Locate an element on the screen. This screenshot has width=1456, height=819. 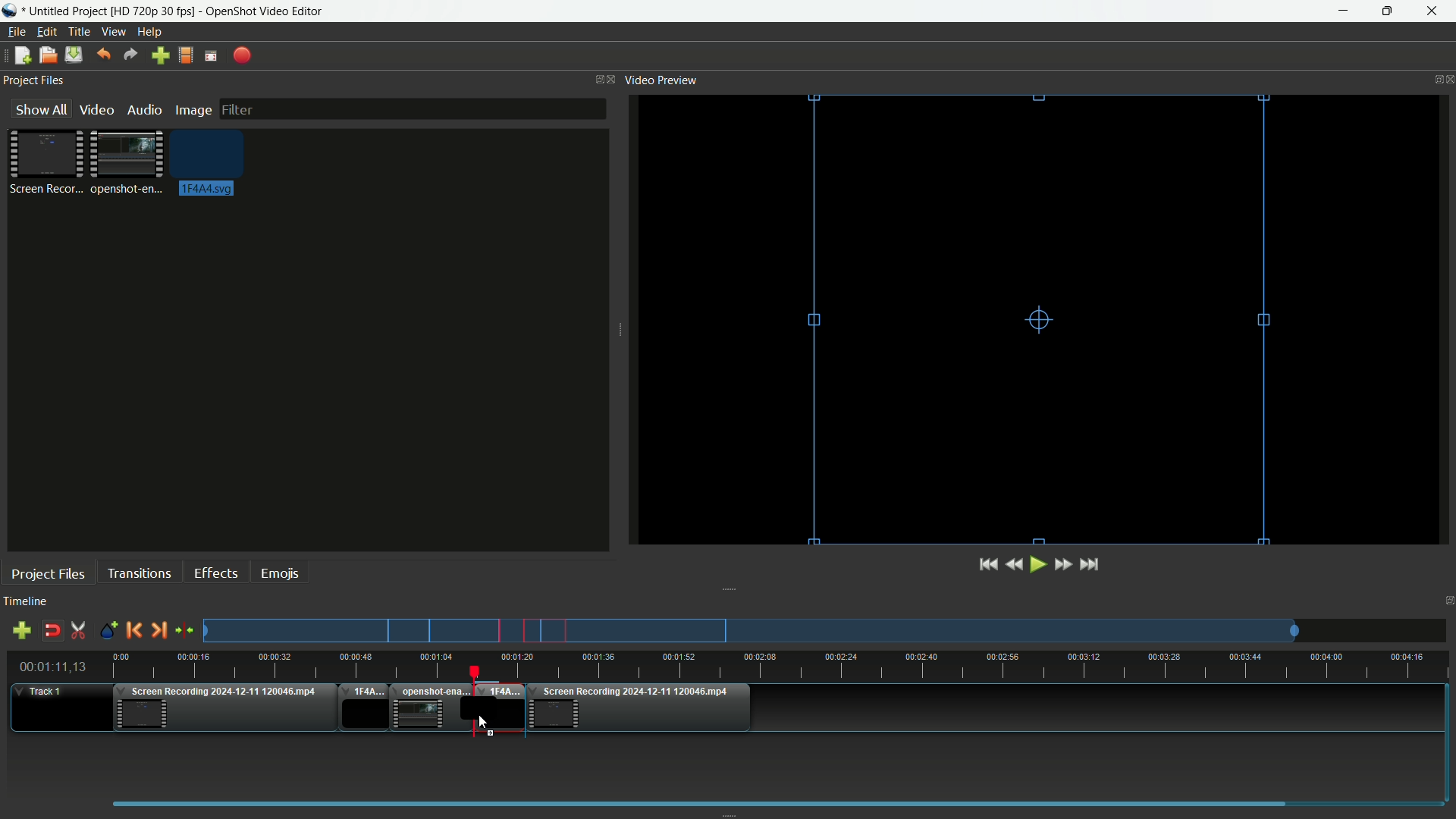
Close project files is located at coordinates (613, 79).